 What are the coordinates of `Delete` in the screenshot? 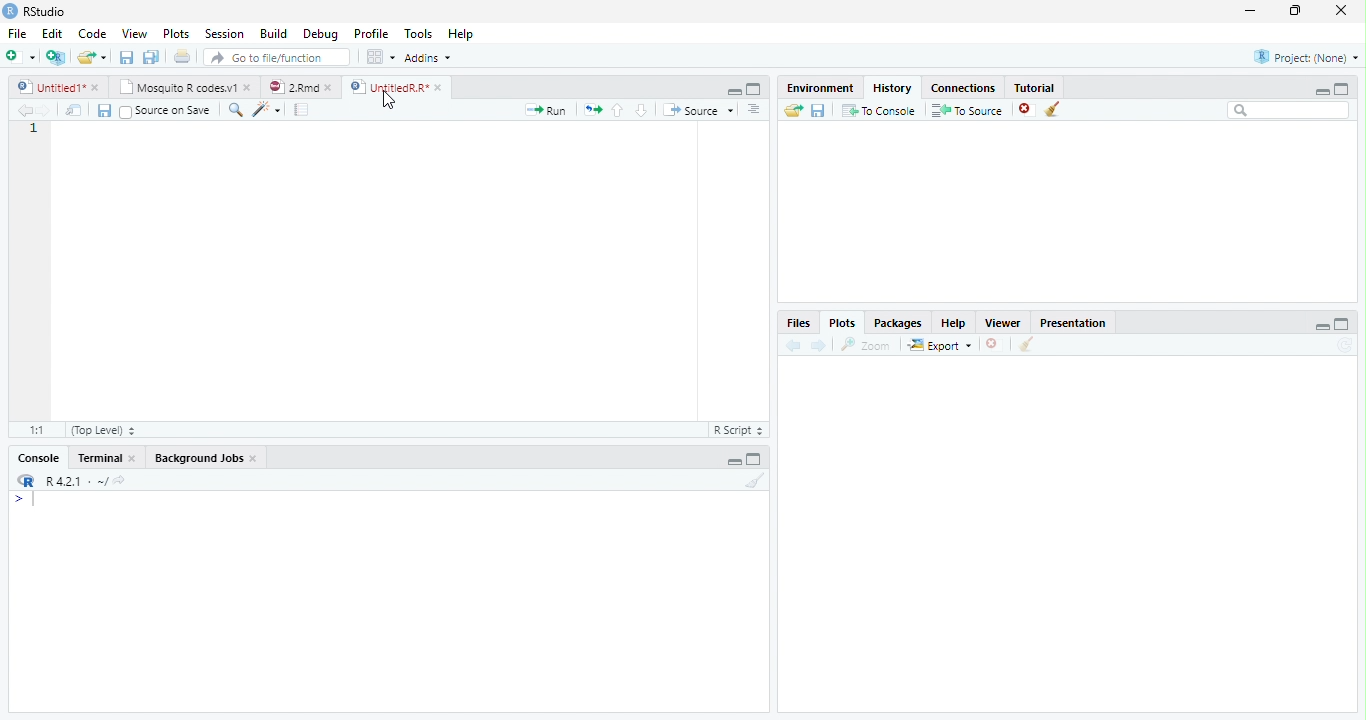 It's located at (1023, 108).